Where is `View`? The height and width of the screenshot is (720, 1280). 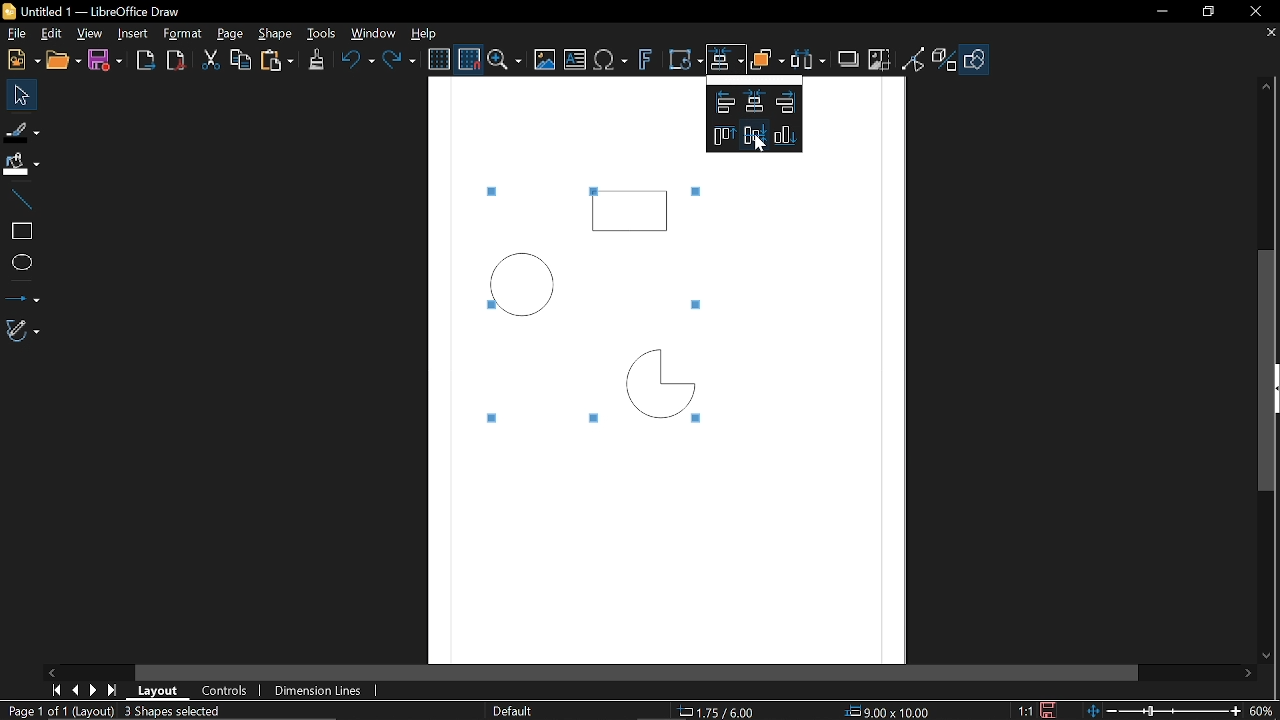 View is located at coordinates (87, 35).